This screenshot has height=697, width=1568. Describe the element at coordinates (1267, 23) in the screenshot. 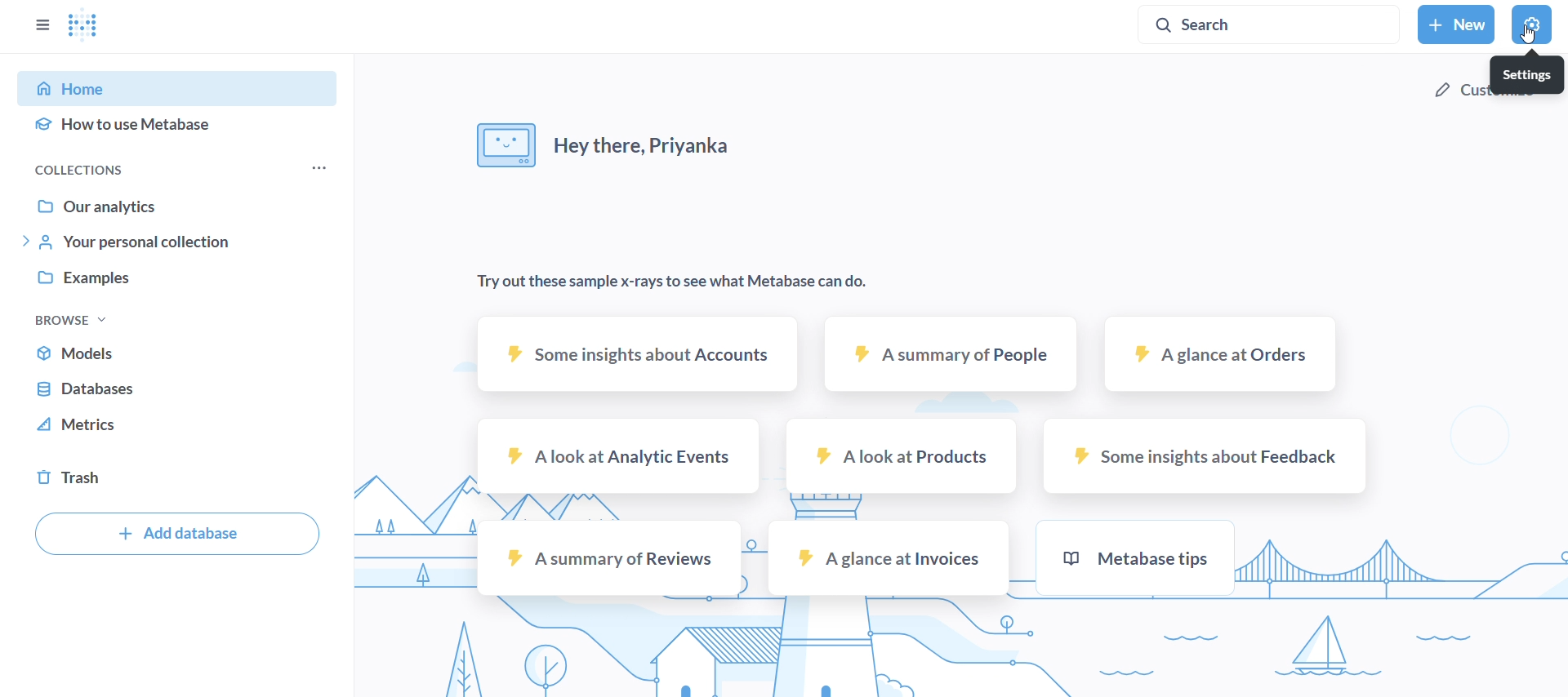

I see `search` at that location.